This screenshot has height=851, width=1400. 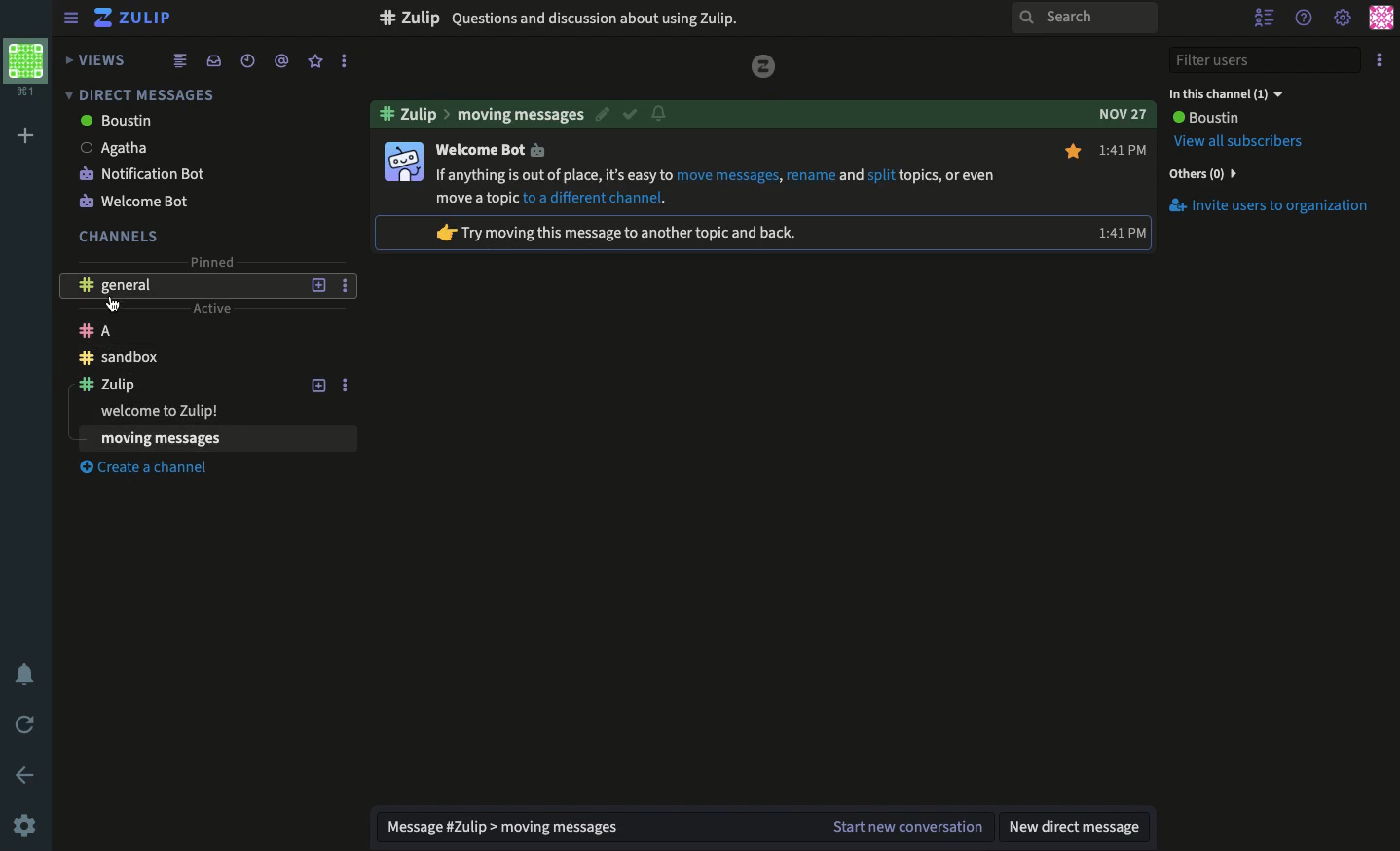 I want to click on Views, so click(x=98, y=59).